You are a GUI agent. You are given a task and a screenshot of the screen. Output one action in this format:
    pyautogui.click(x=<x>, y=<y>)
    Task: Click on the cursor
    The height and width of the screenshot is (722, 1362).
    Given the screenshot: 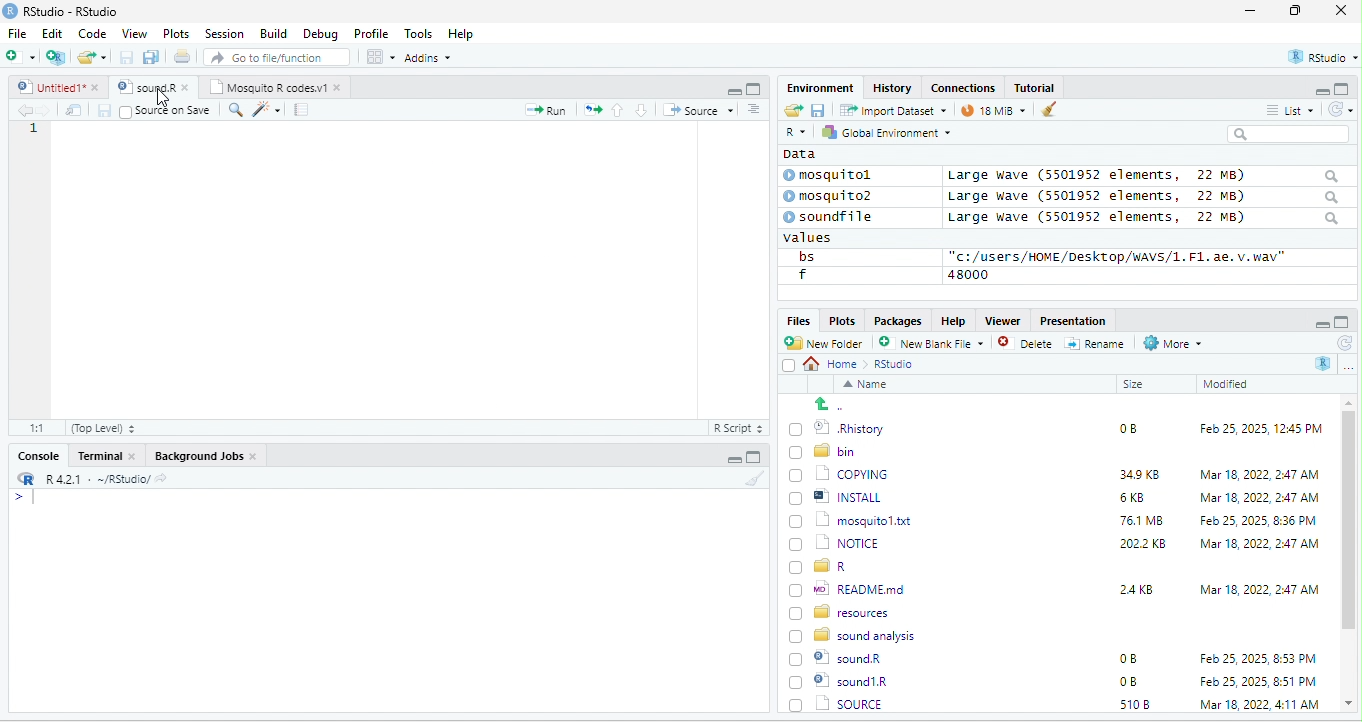 What is the action you would take?
    pyautogui.click(x=157, y=103)
    